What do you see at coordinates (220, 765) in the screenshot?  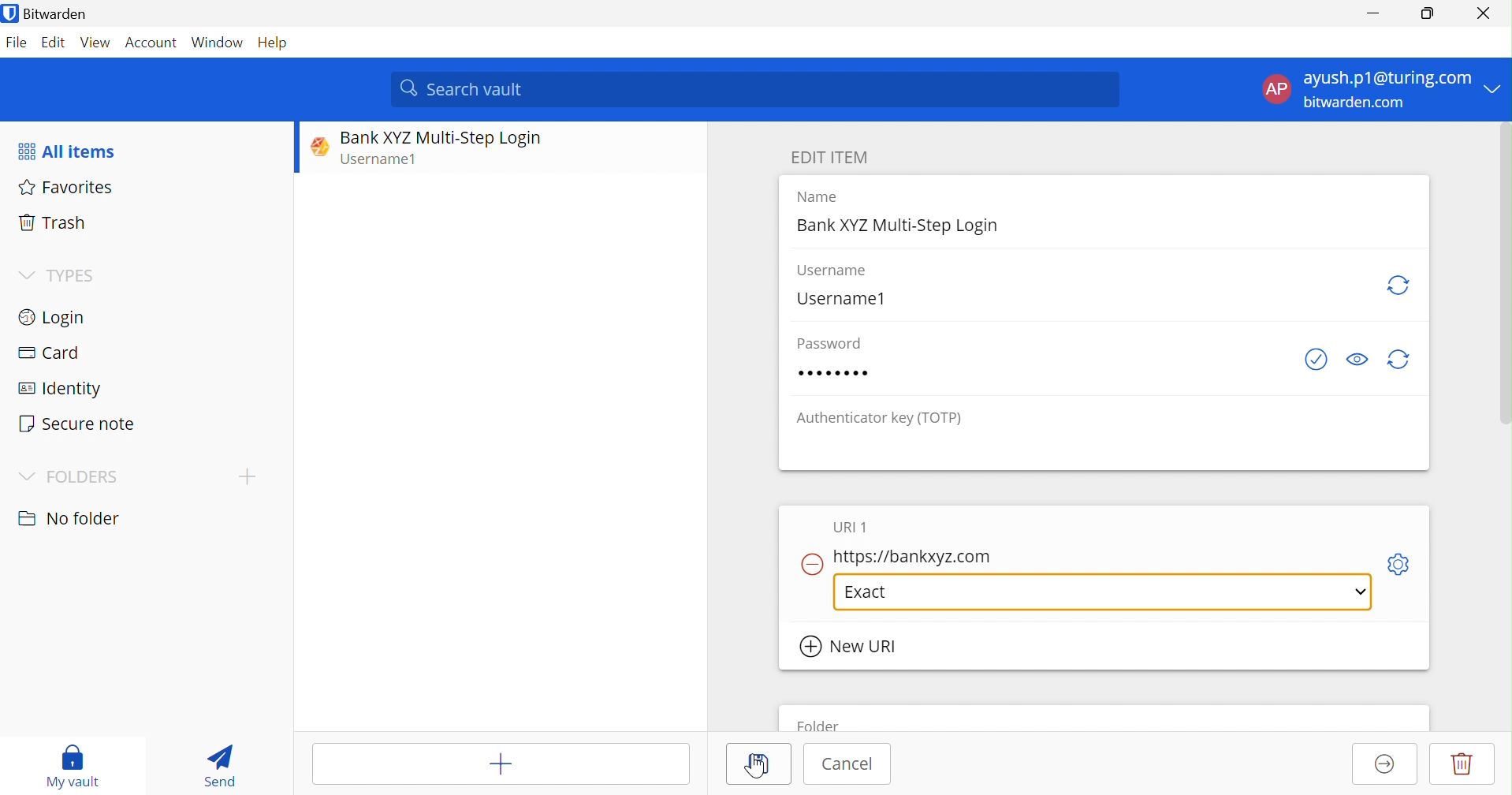 I see `Send` at bounding box center [220, 765].